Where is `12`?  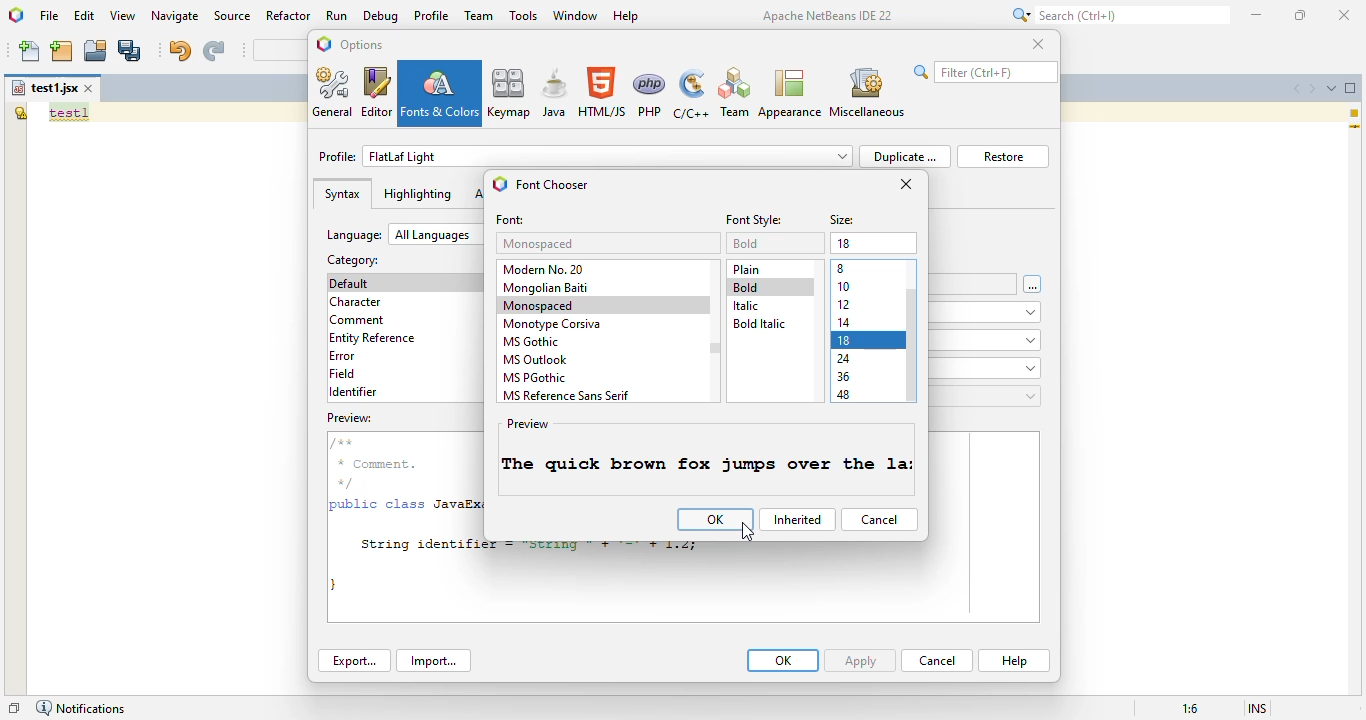 12 is located at coordinates (845, 304).